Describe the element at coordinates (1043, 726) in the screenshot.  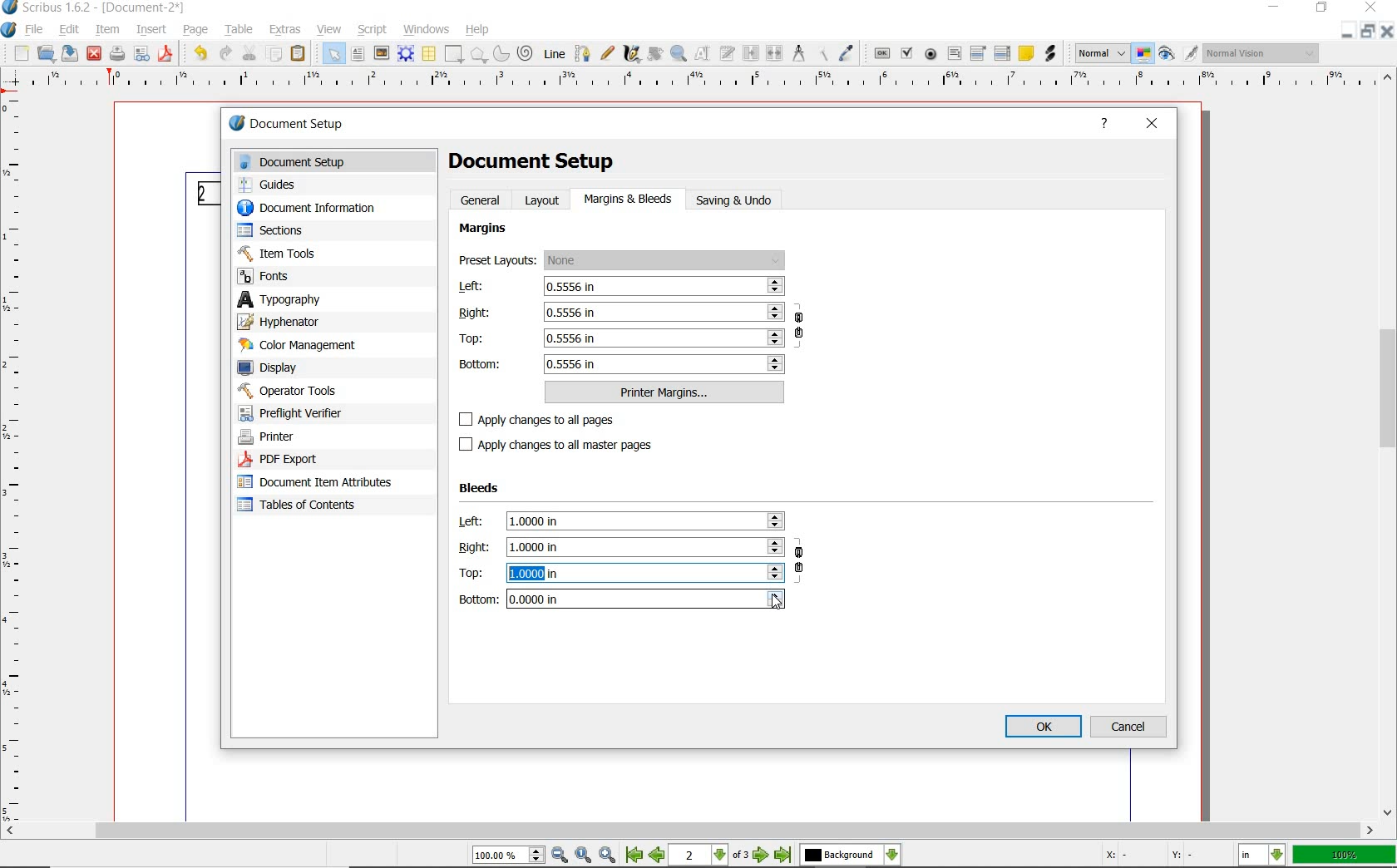
I see `ok` at that location.